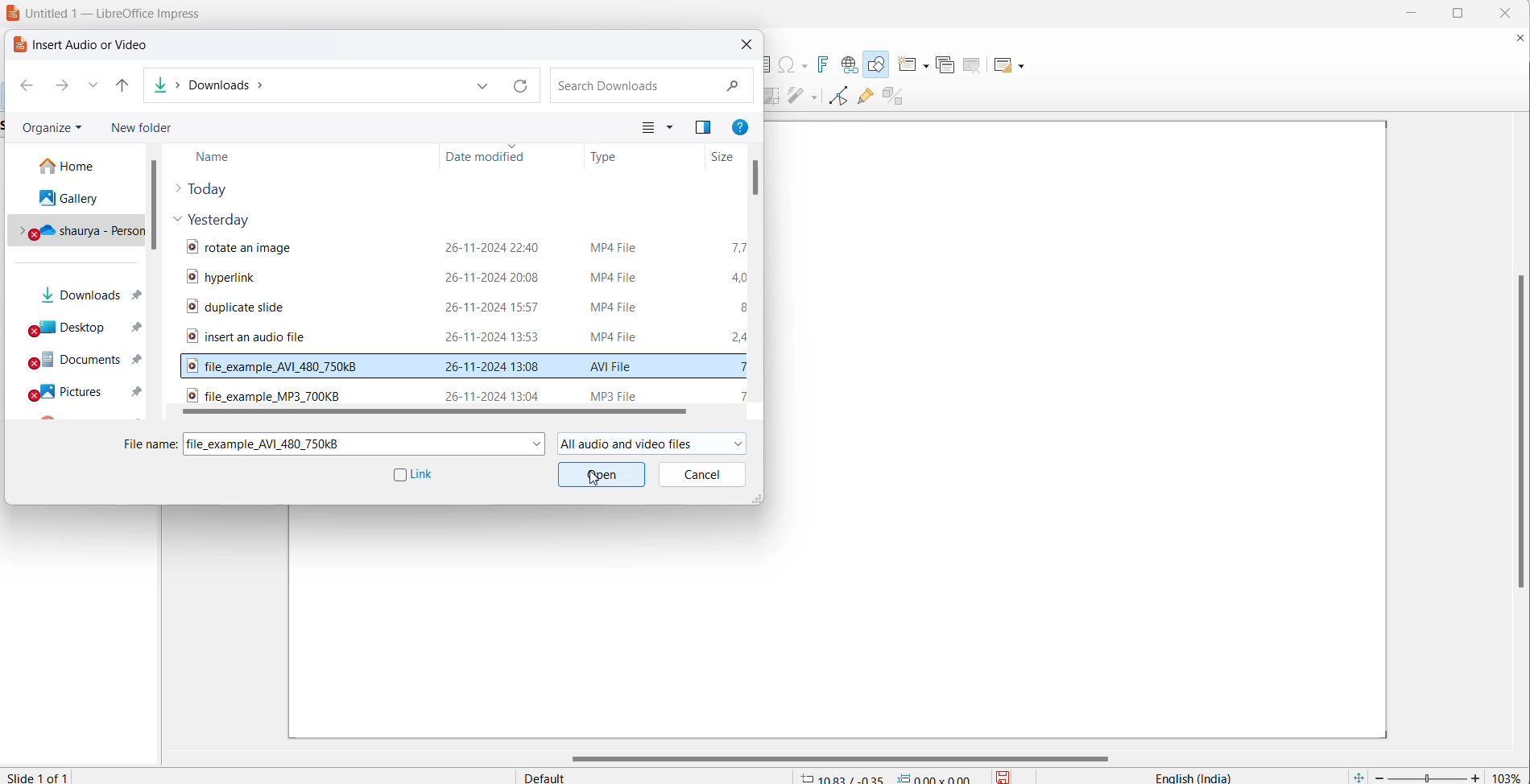 The image size is (1530, 784). What do you see at coordinates (641, 365) in the screenshot?
I see `selected video file format` at bounding box center [641, 365].